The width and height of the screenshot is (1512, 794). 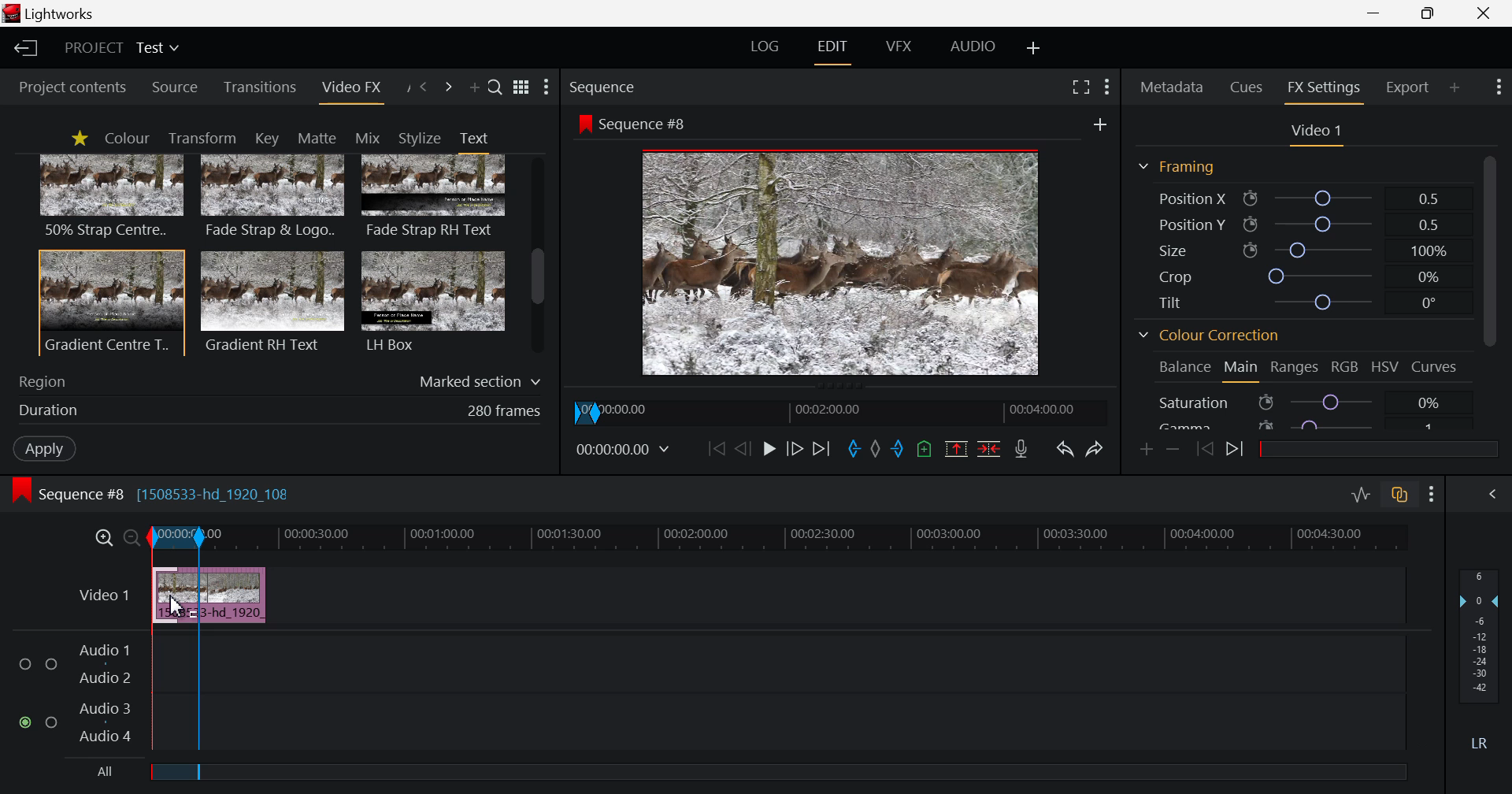 What do you see at coordinates (538, 257) in the screenshot?
I see `Scroll Bar` at bounding box center [538, 257].